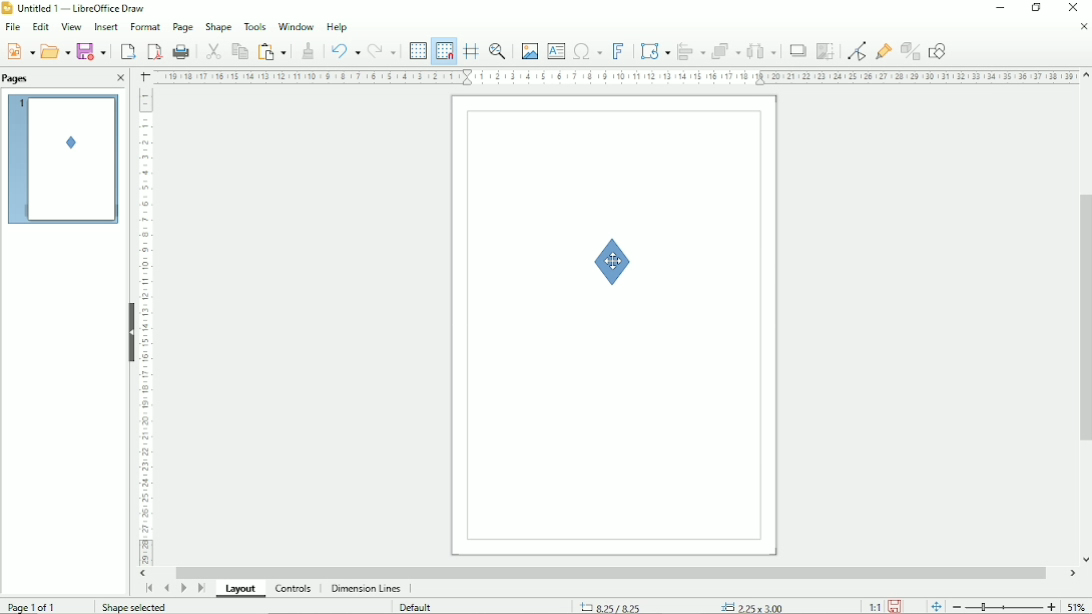  What do you see at coordinates (618, 50) in the screenshot?
I see `Insert fontwork text` at bounding box center [618, 50].